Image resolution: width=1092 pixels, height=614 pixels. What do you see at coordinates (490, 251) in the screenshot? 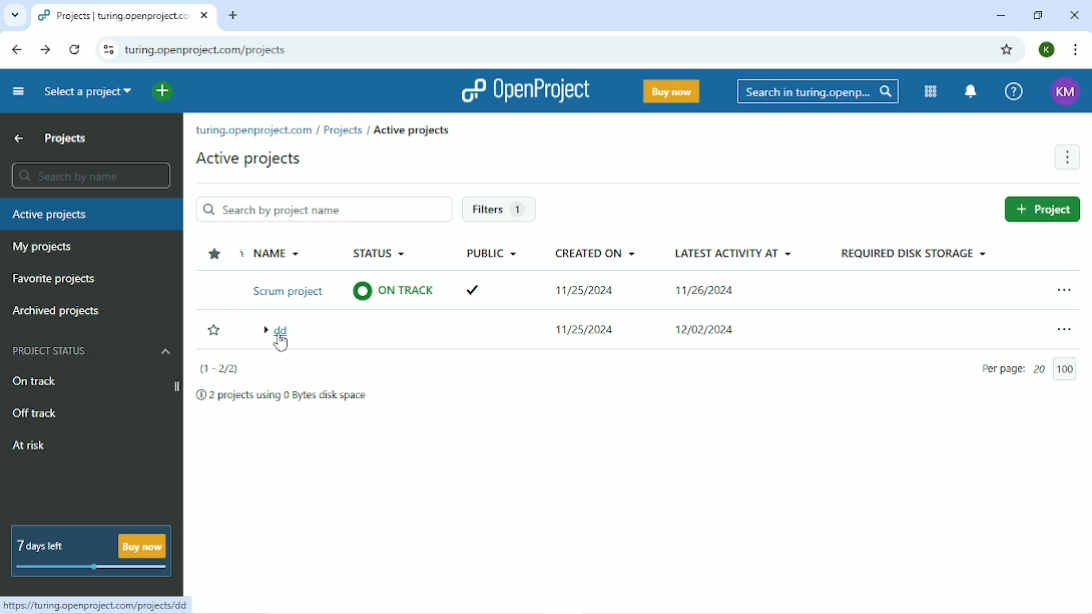
I see `Public` at bounding box center [490, 251].